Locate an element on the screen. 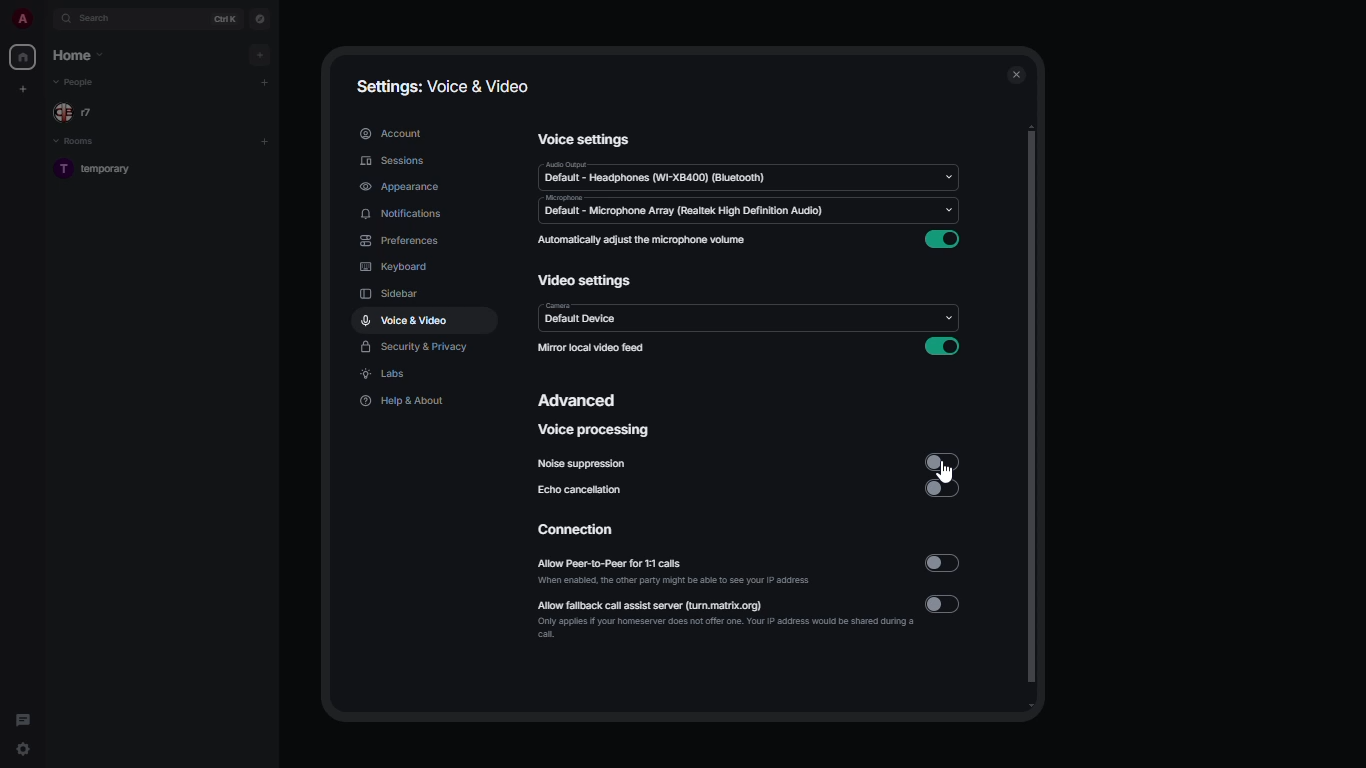 The image size is (1366, 768). people is located at coordinates (82, 113).